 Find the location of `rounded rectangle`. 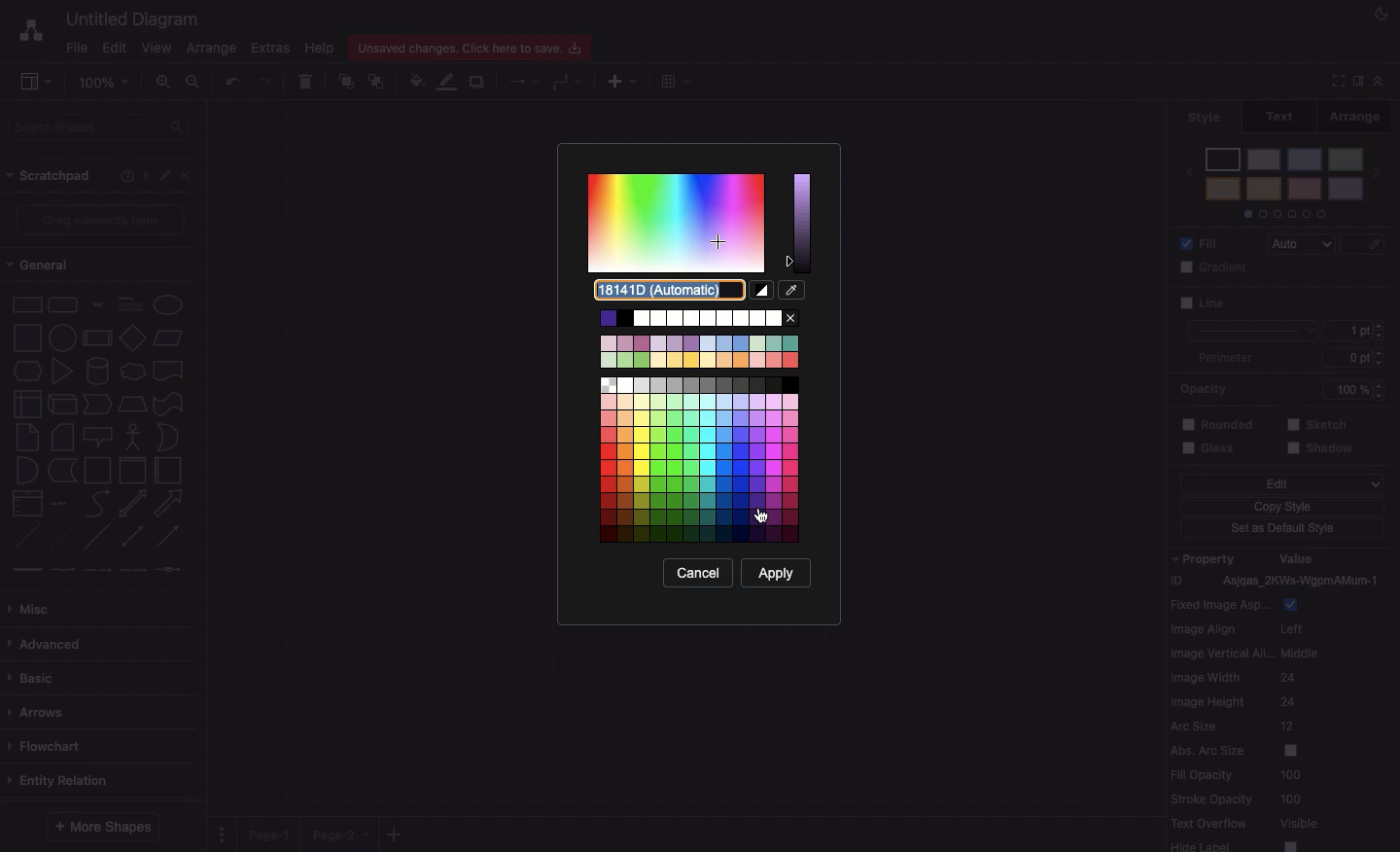

rounded rectangle is located at coordinates (61, 302).